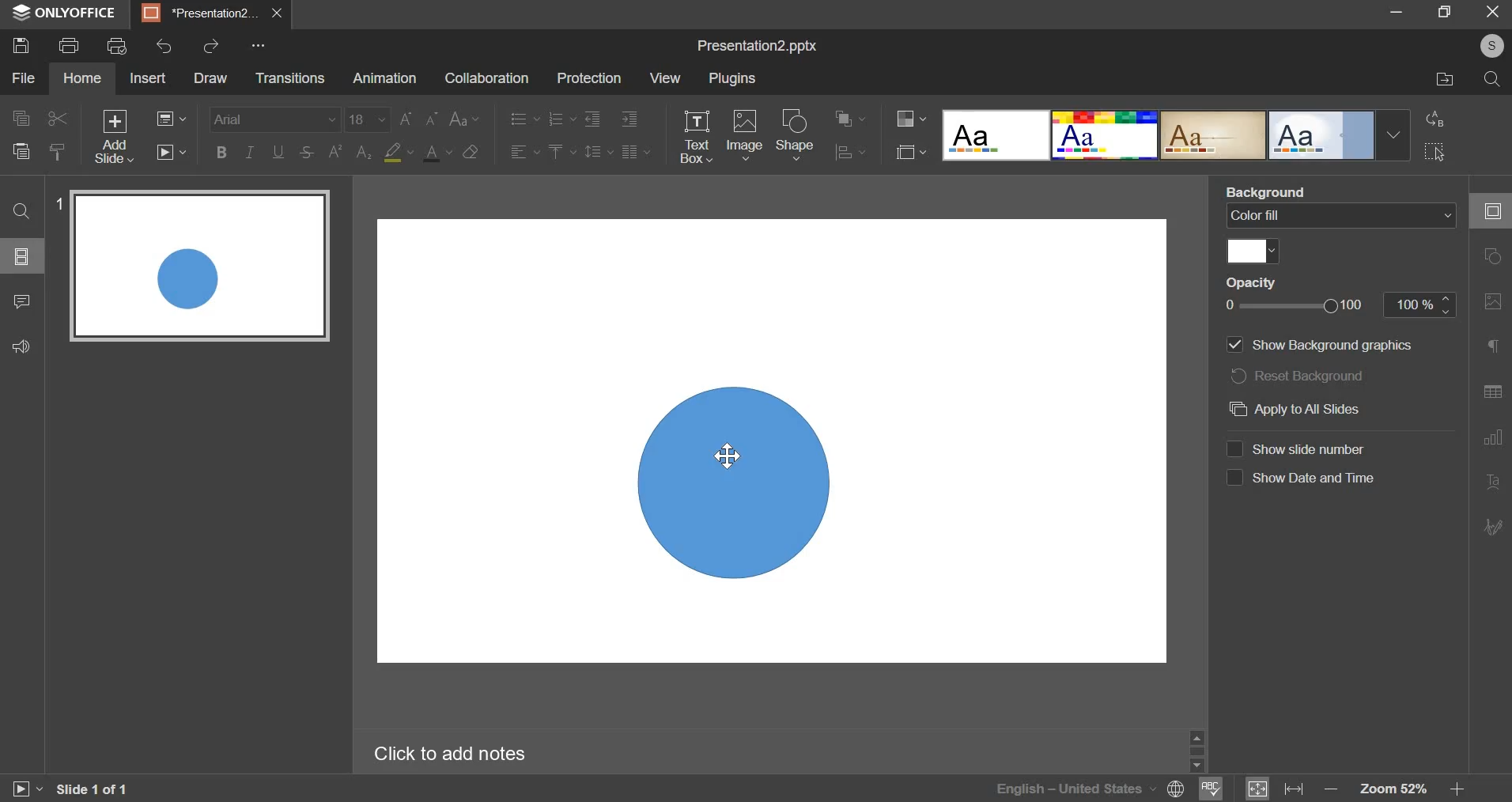  What do you see at coordinates (1443, 78) in the screenshot?
I see `file location` at bounding box center [1443, 78].